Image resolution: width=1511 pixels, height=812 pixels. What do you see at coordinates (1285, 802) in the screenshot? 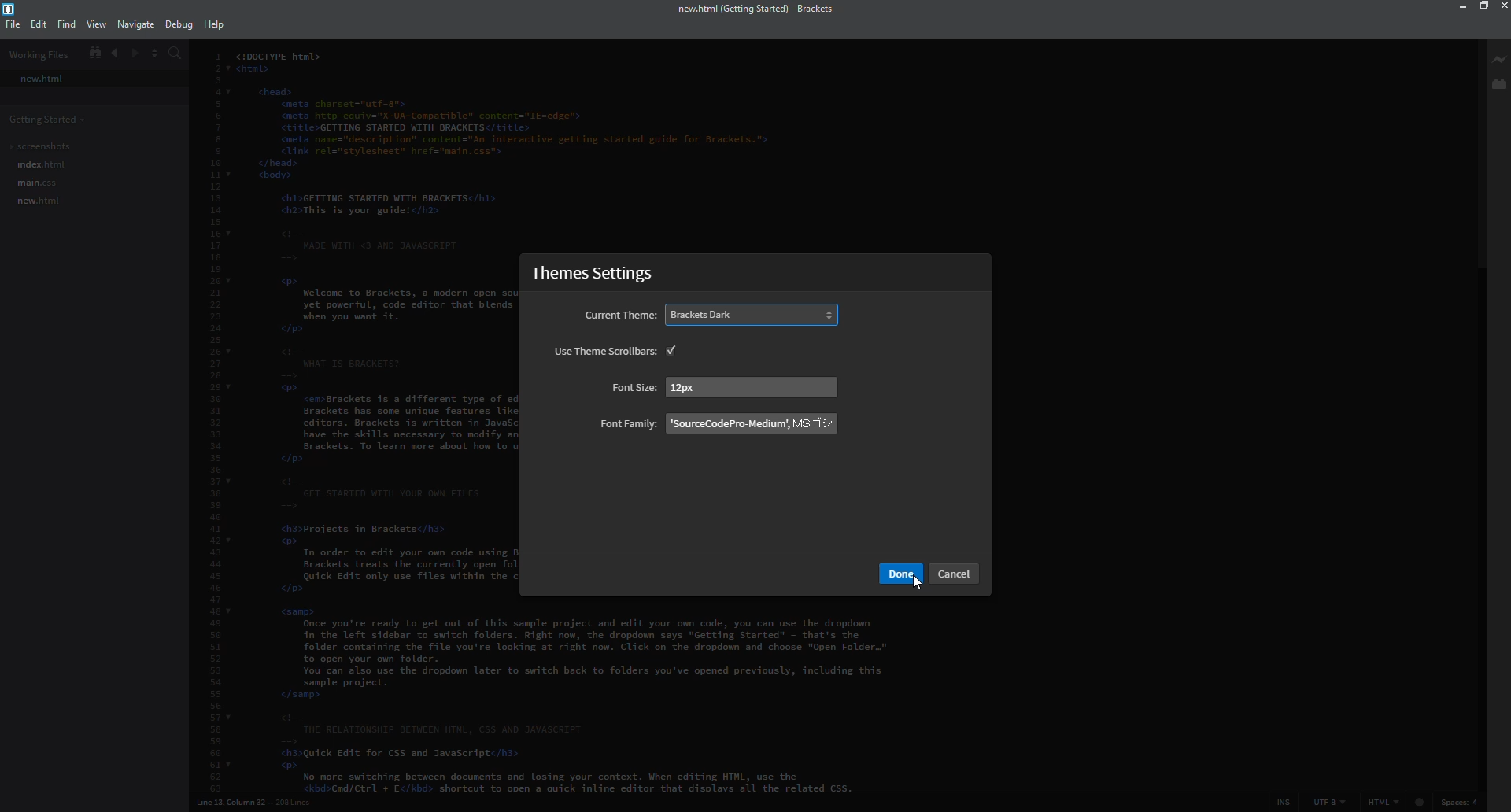
I see `ins` at bounding box center [1285, 802].